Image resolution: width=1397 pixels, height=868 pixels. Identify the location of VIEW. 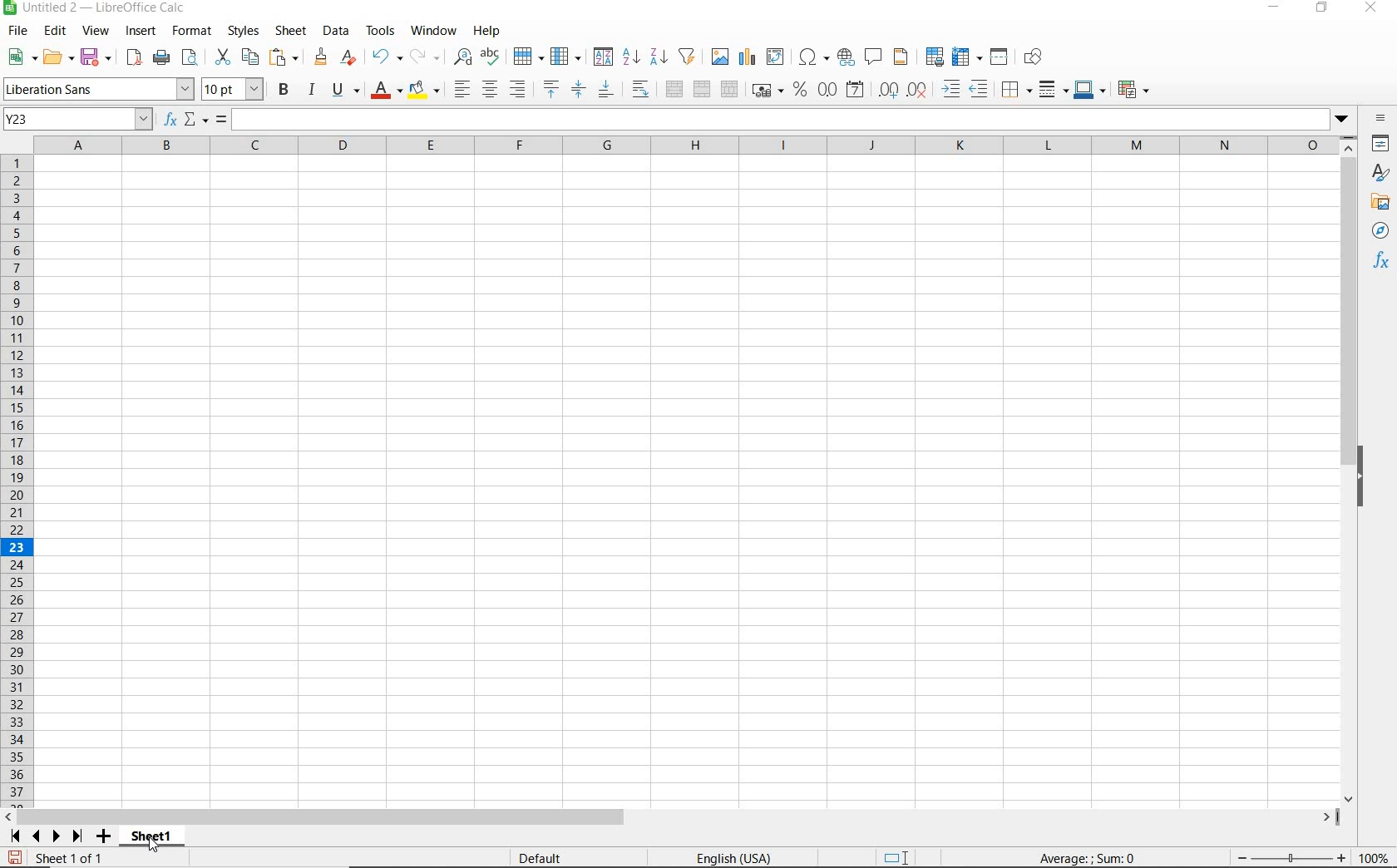
(96, 31).